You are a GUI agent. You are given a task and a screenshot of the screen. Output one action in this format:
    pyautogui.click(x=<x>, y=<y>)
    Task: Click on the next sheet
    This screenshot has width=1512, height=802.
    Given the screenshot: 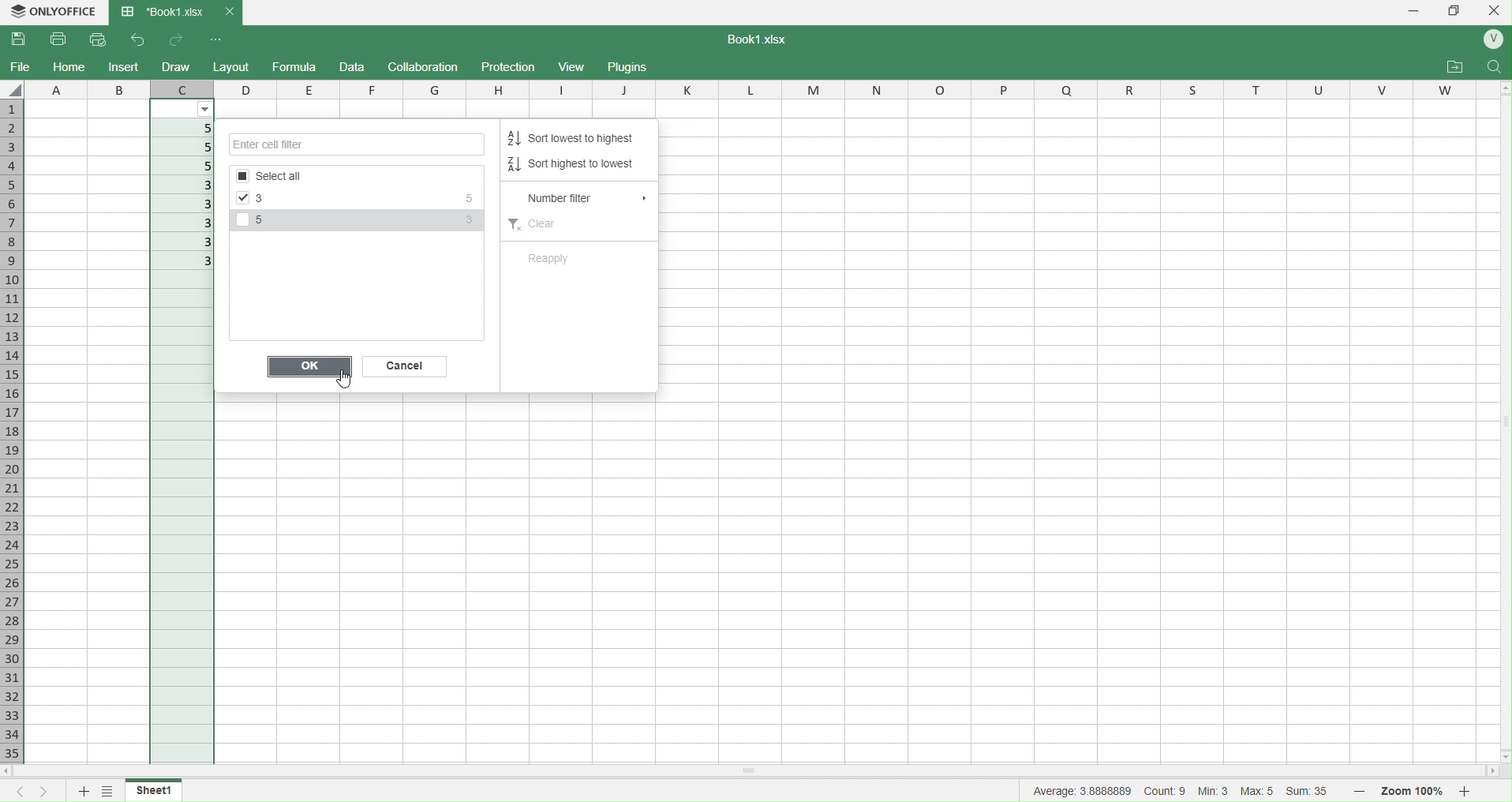 What is the action you would take?
    pyautogui.click(x=49, y=792)
    